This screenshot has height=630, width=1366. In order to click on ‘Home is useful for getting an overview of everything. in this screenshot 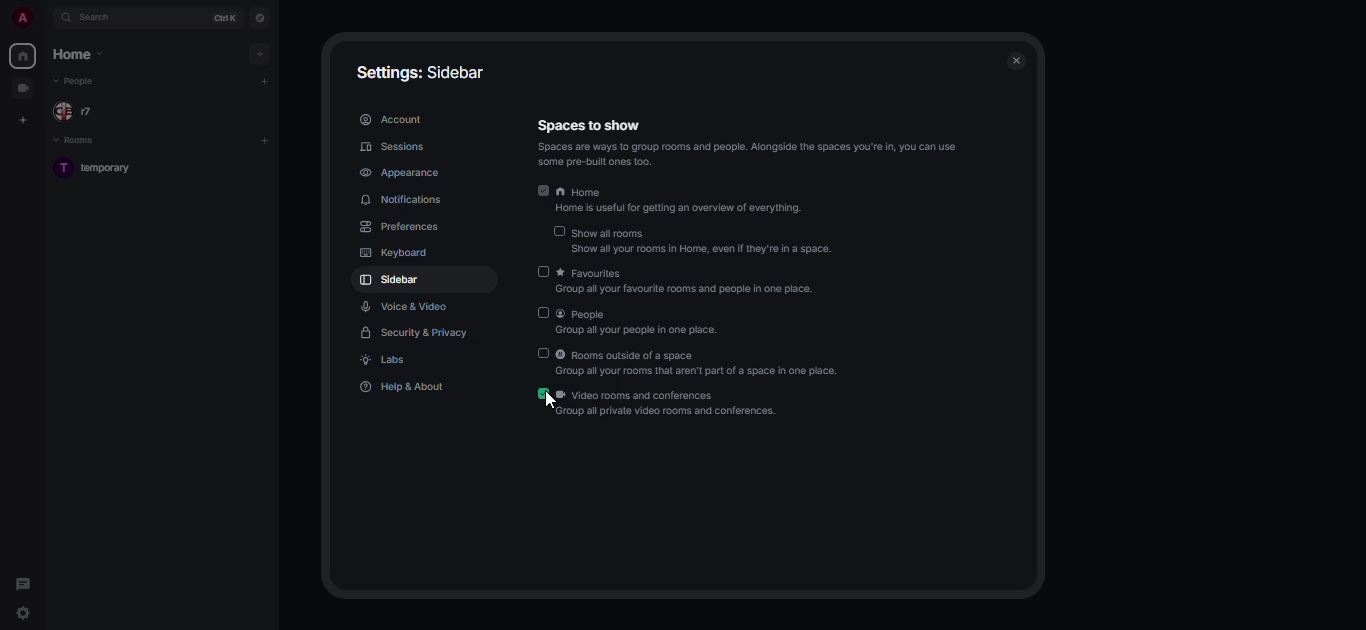, I will do `click(688, 210)`.